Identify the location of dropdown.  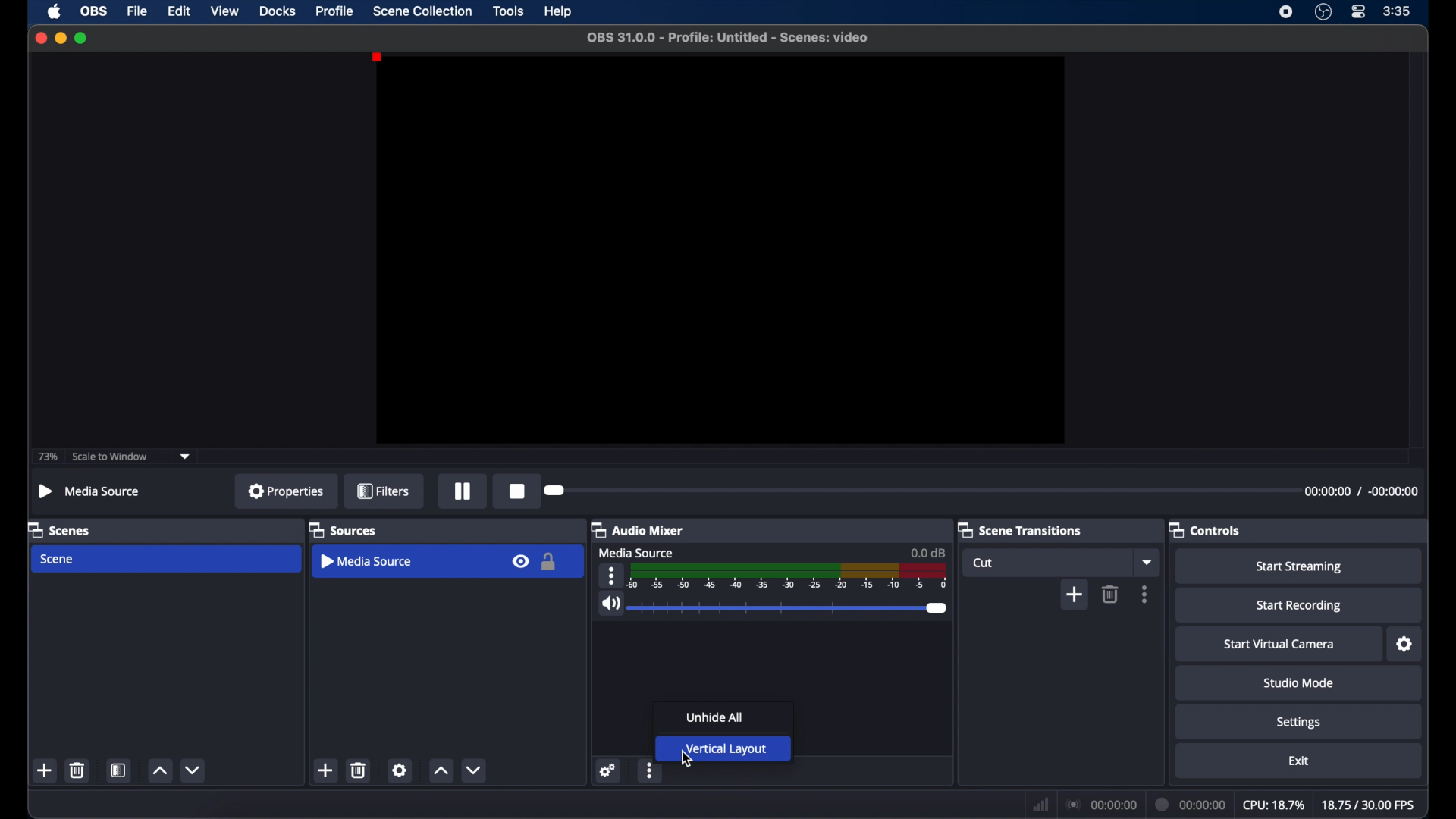
(185, 457).